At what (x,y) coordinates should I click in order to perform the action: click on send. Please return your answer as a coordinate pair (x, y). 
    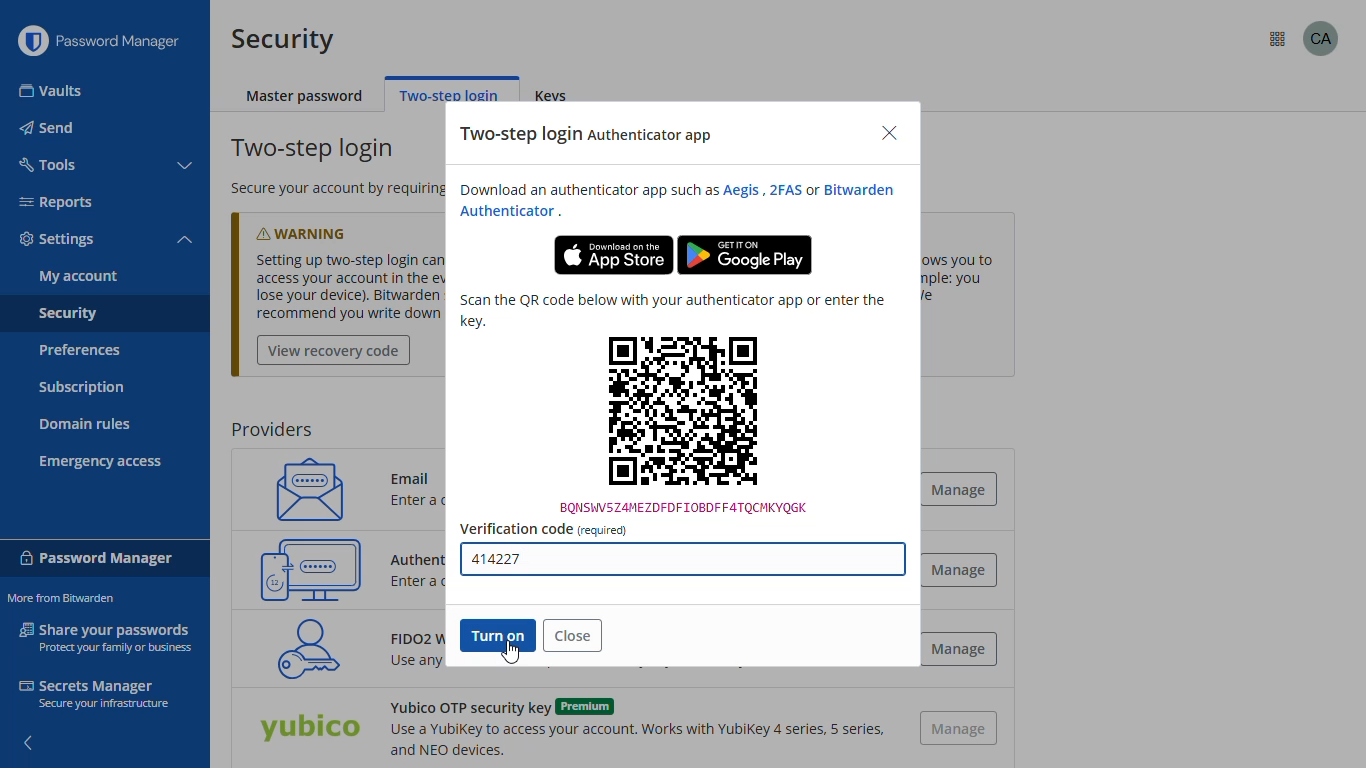
    Looking at the image, I should click on (49, 128).